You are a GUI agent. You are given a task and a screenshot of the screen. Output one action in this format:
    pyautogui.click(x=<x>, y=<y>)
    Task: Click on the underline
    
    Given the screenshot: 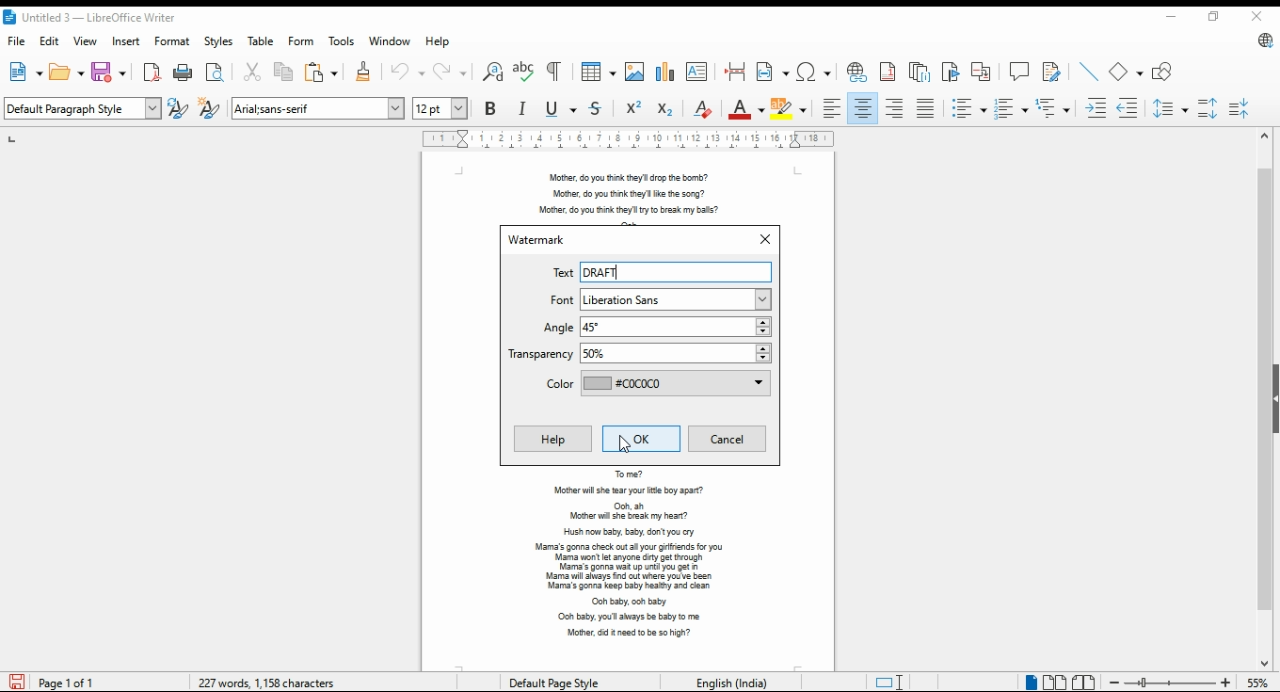 What is the action you would take?
    pyautogui.click(x=558, y=108)
    